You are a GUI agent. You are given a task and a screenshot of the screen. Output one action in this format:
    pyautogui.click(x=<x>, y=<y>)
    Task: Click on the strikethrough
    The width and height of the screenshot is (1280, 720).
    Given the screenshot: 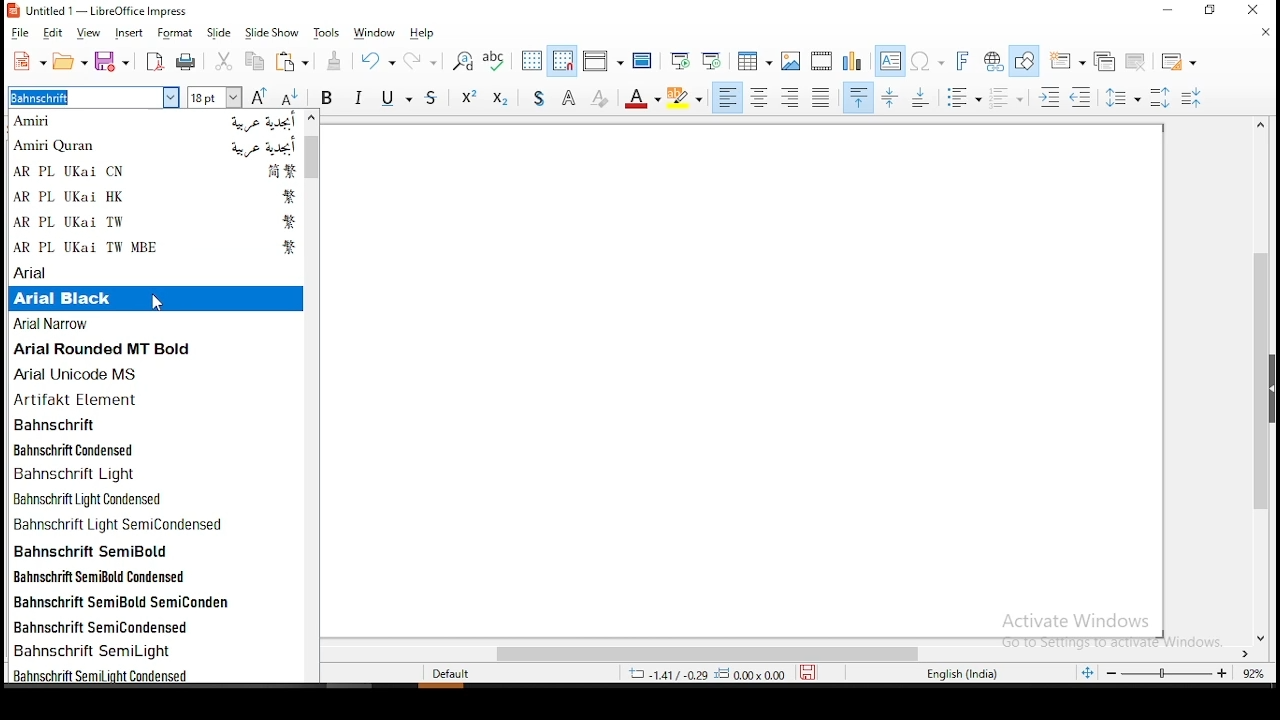 What is the action you would take?
    pyautogui.click(x=436, y=100)
    